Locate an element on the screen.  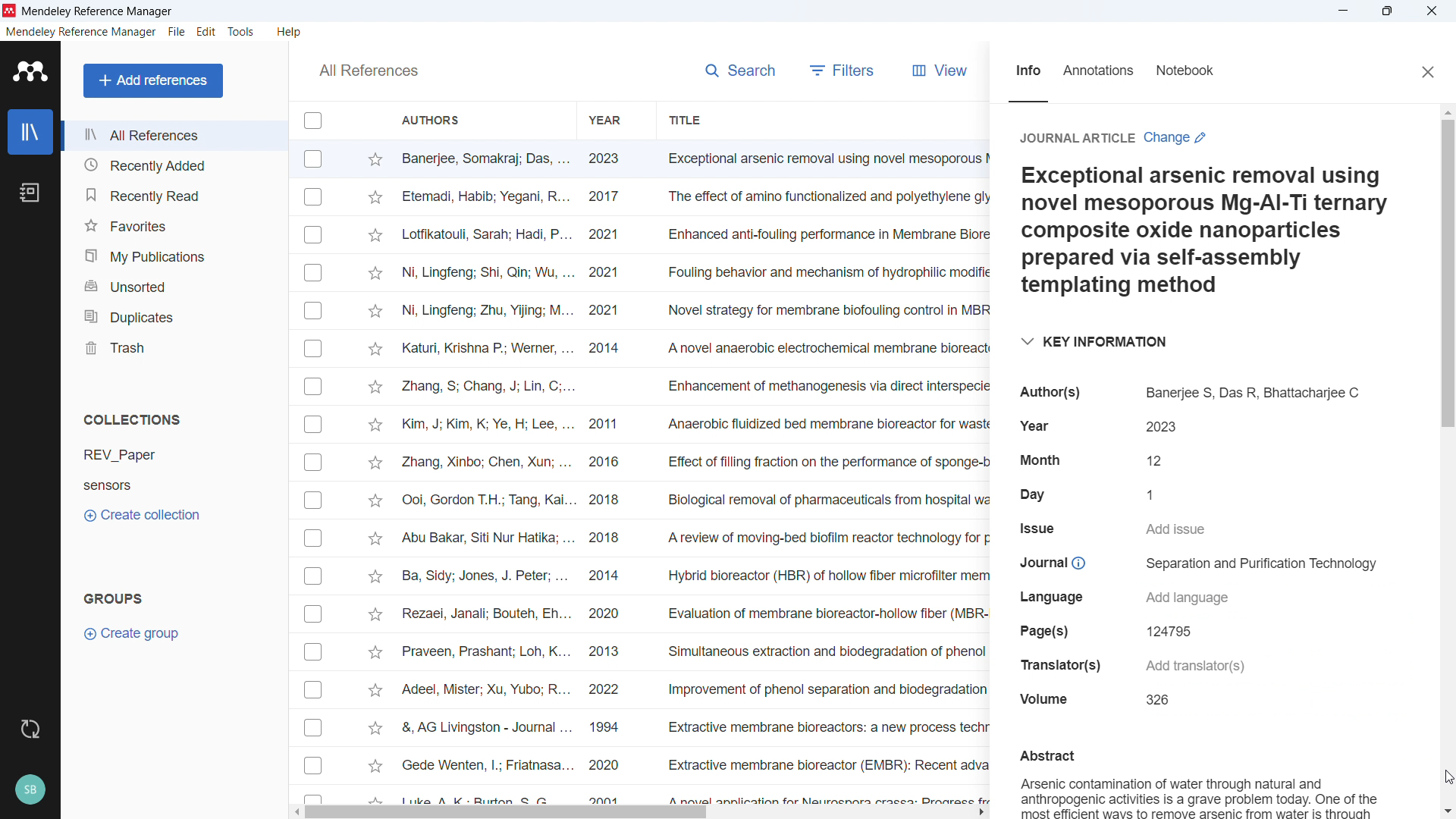
yeat-2023 is located at coordinates (1159, 425).